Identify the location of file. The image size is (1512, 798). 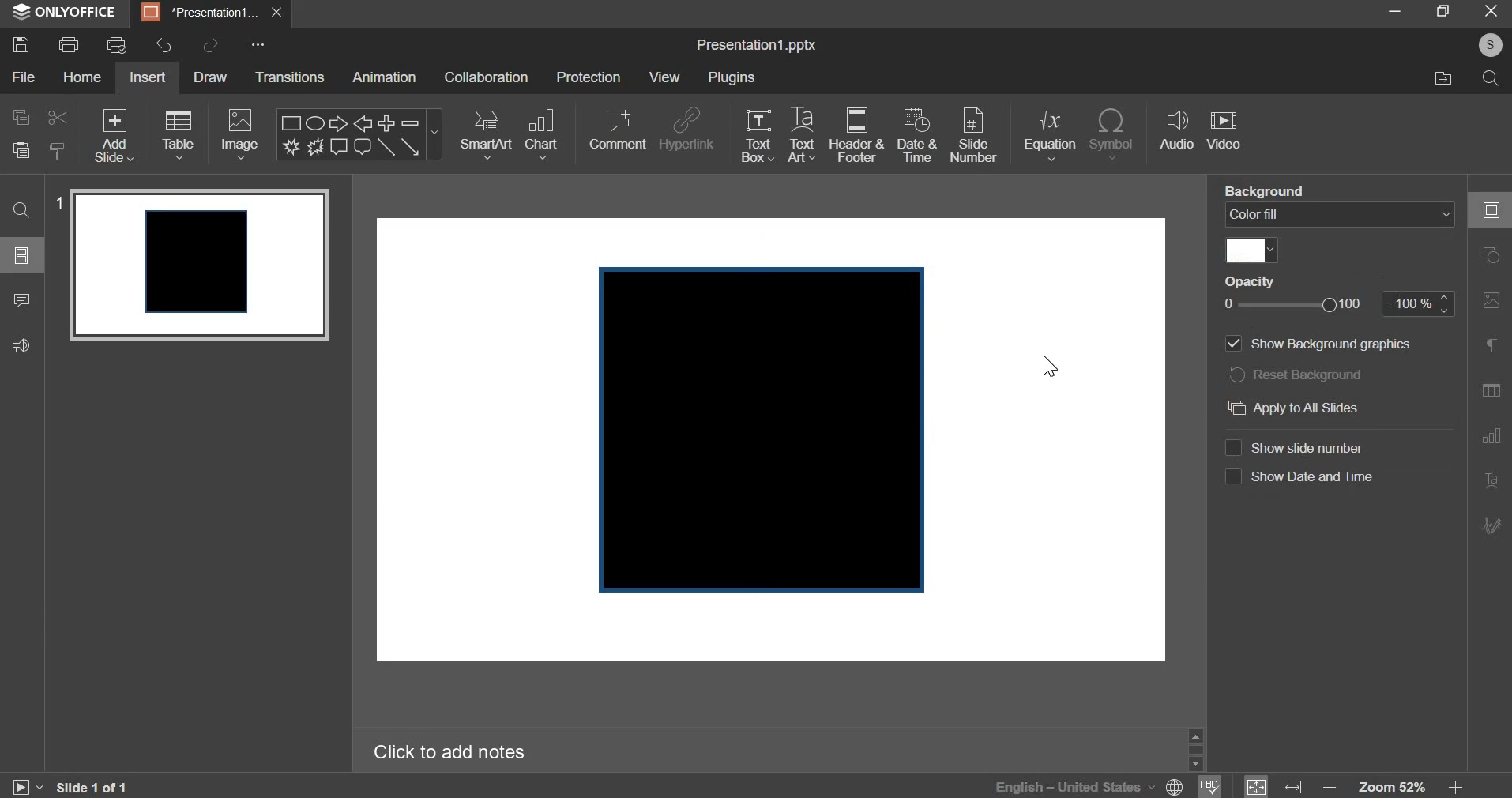
(22, 76).